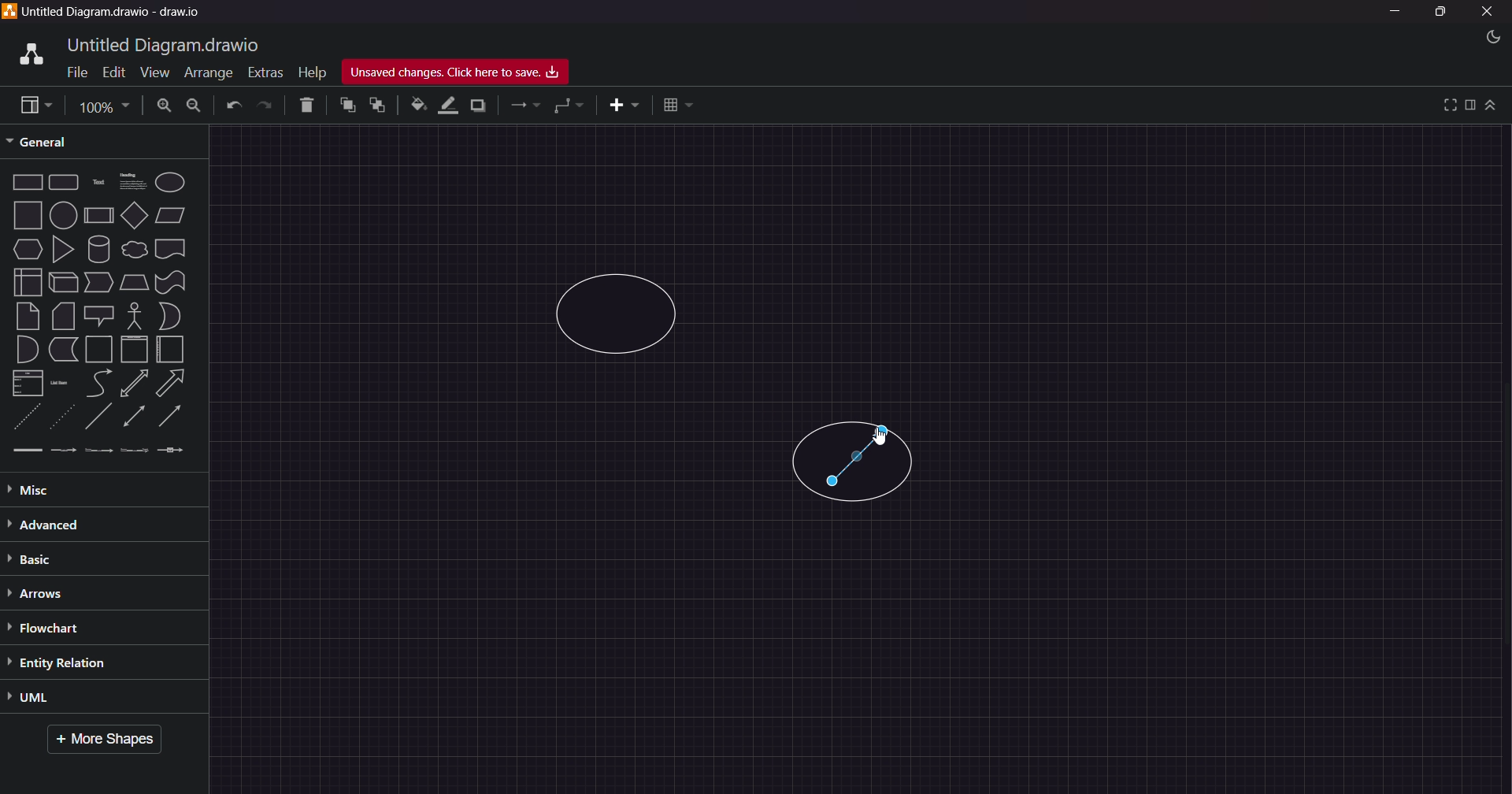 Image resolution: width=1512 pixels, height=794 pixels. What do you see at coordinates (303, 106) in the screenshot?
I see `Delete` at bounding box center [303, 106].